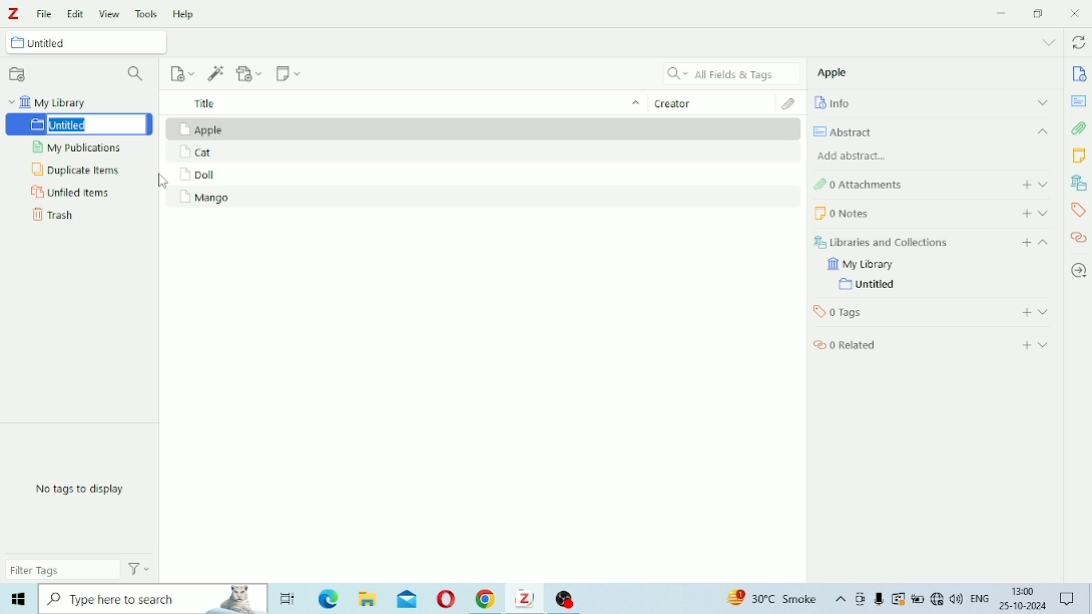 The width and height of the screenshot is (1092, 614). I want to click on , so click(286, 599).